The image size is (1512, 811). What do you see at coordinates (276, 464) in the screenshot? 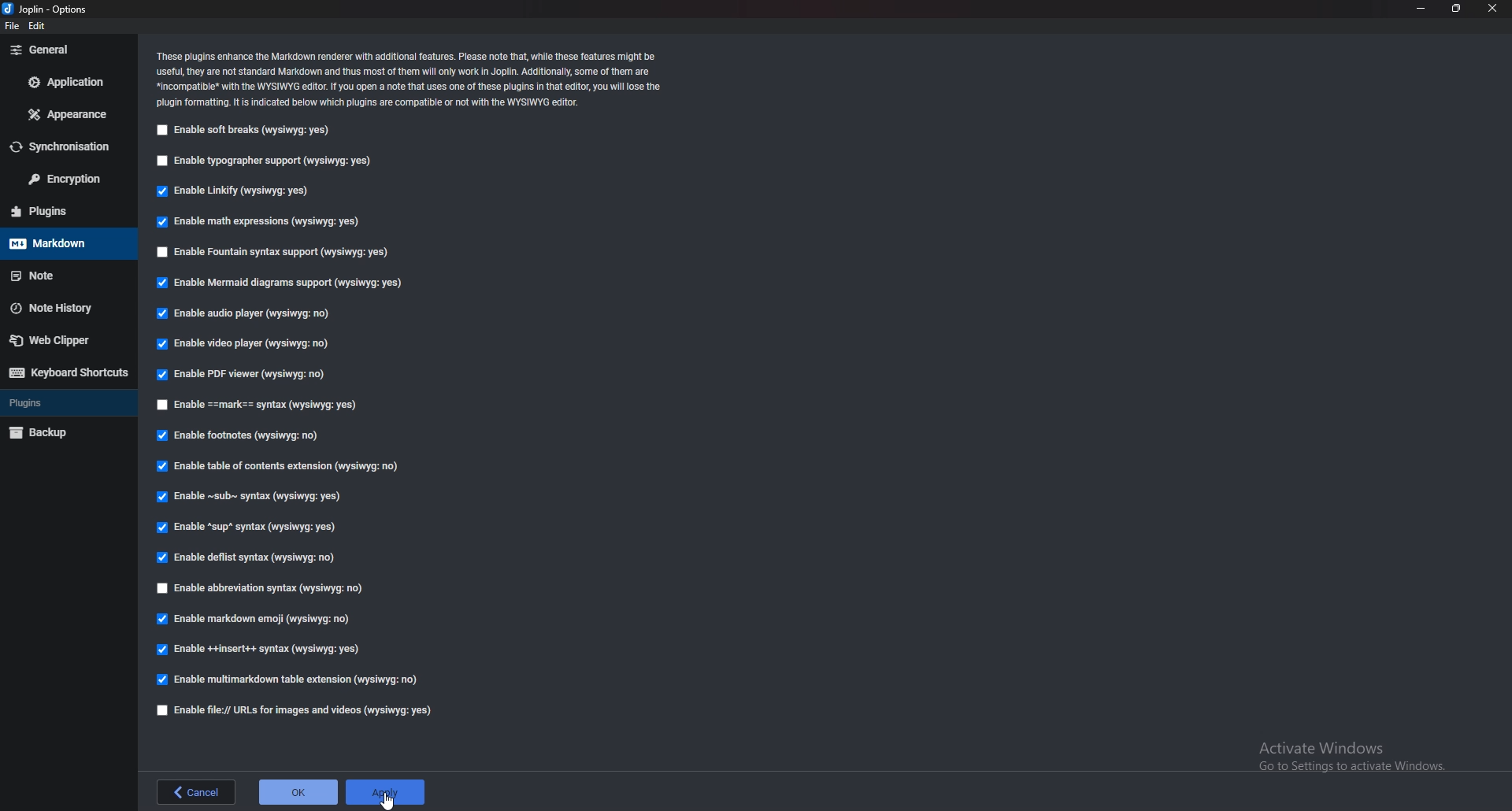
I see `Enable table of contents extension` at bounding box center [276, 464].